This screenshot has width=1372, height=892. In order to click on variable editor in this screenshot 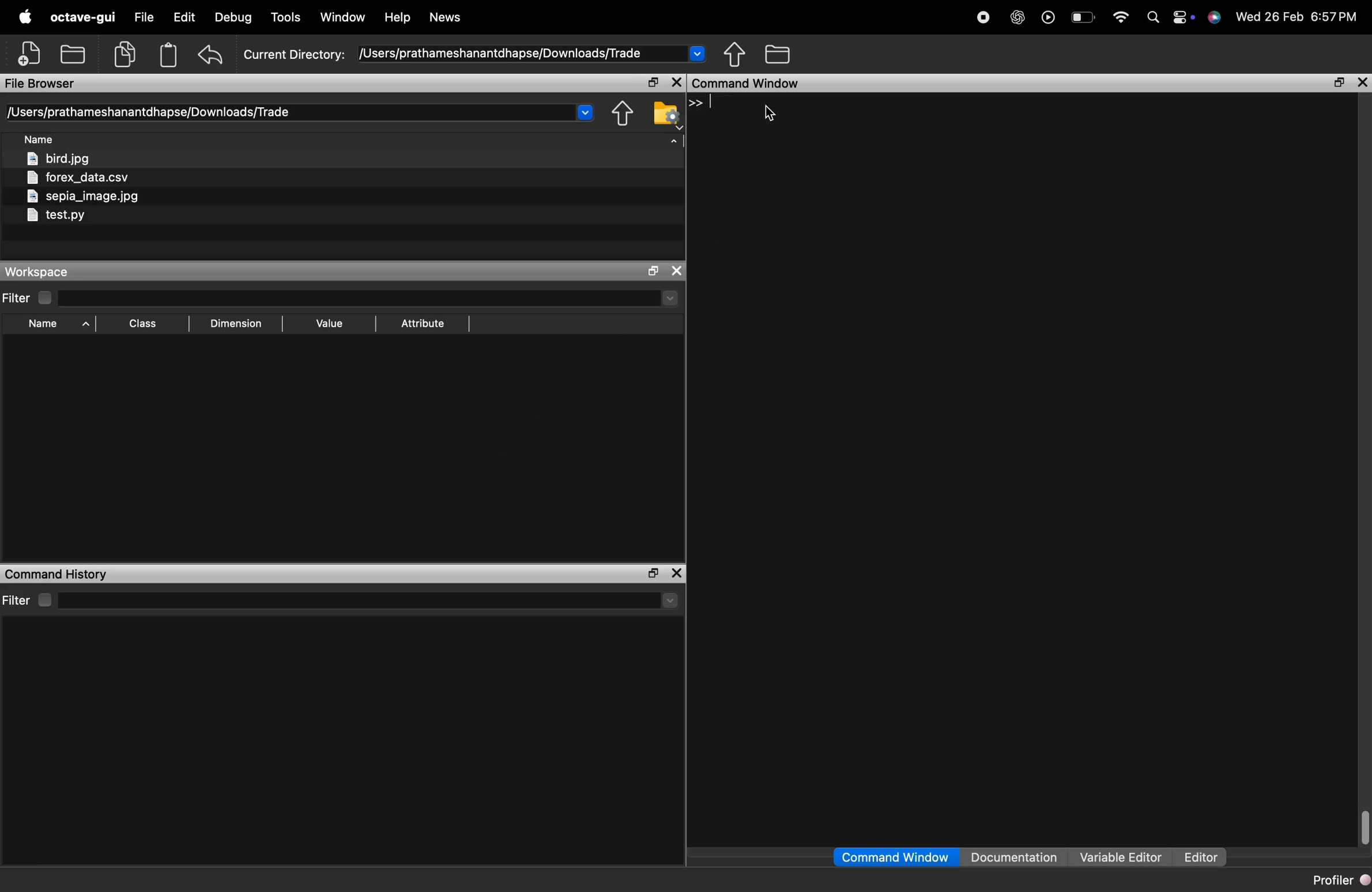, I will do `click(1121, 857)`.